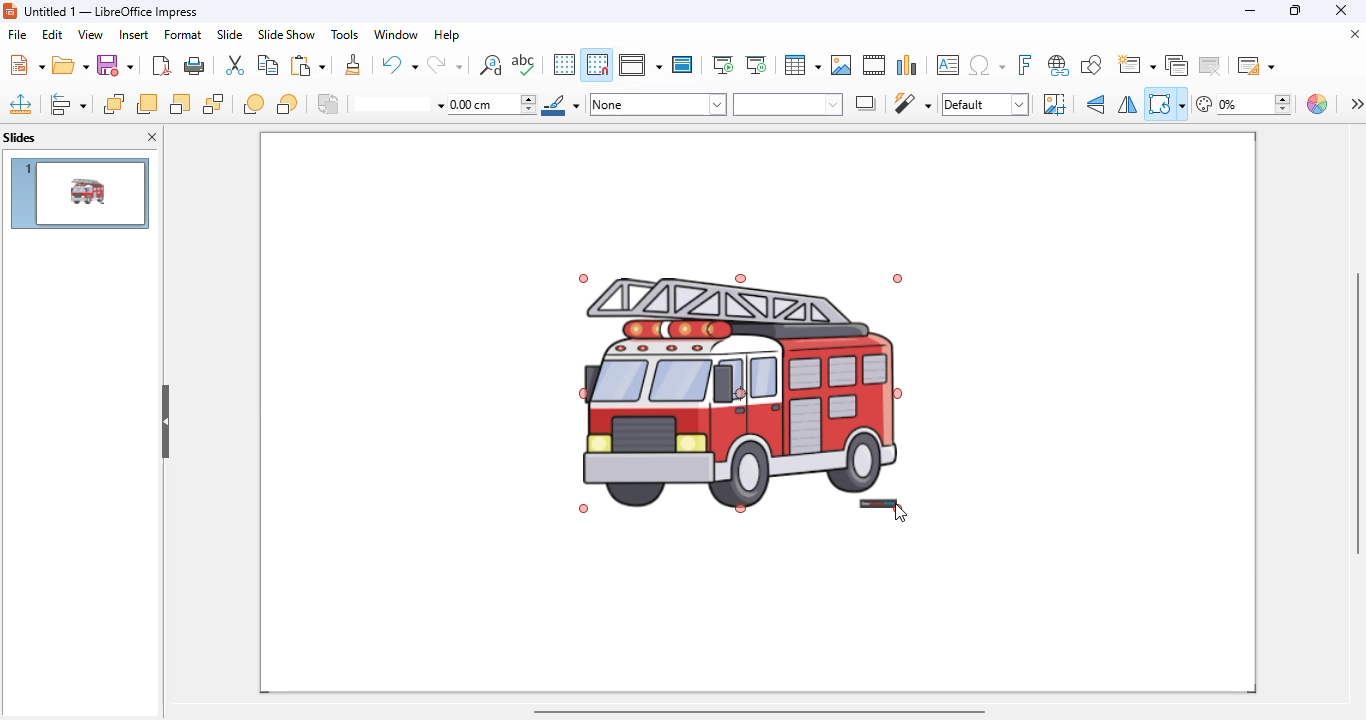 The height and width of the screenshot is (720, 1366). I want to click on display views, so click(641, 64).